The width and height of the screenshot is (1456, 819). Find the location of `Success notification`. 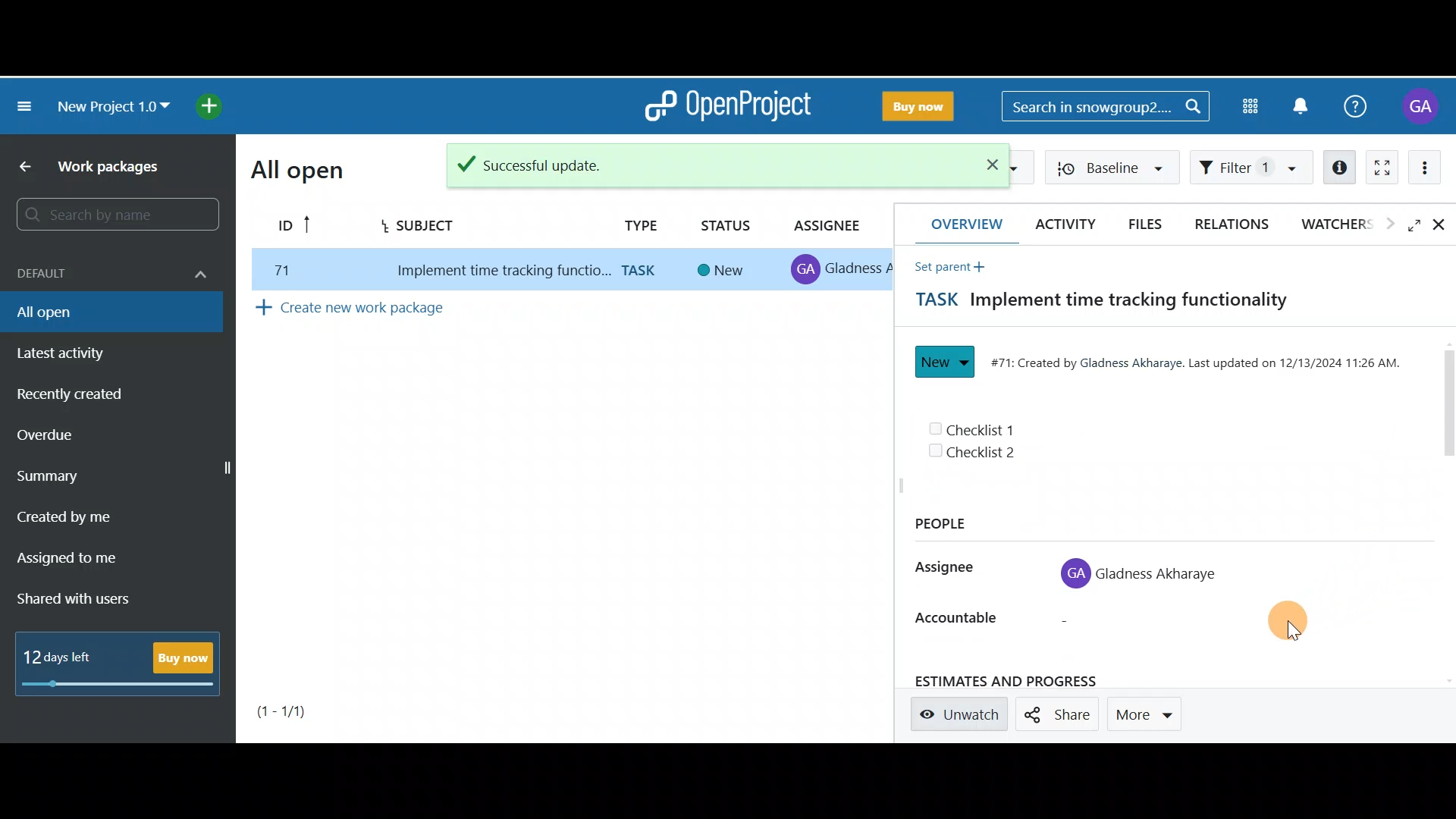

Success notification is located at coordinates (728, 165).